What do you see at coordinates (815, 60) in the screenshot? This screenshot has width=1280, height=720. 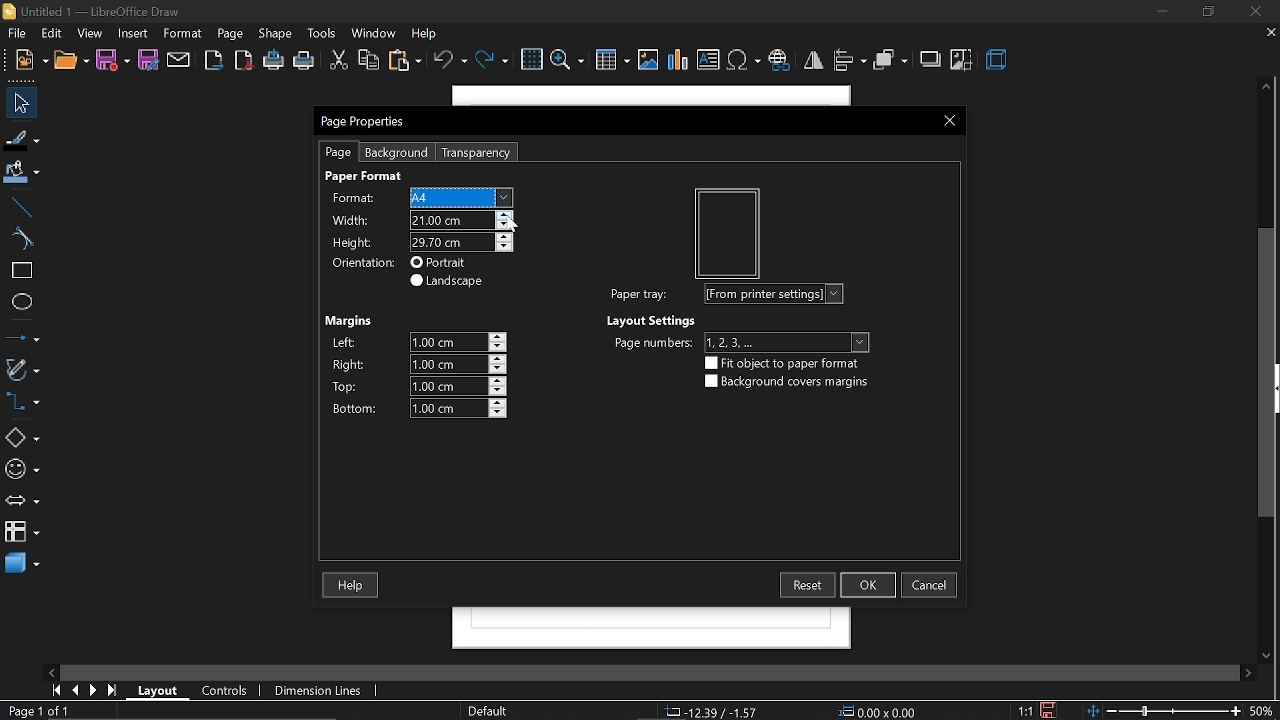 I see `flip` at bounding box center [815, 60].